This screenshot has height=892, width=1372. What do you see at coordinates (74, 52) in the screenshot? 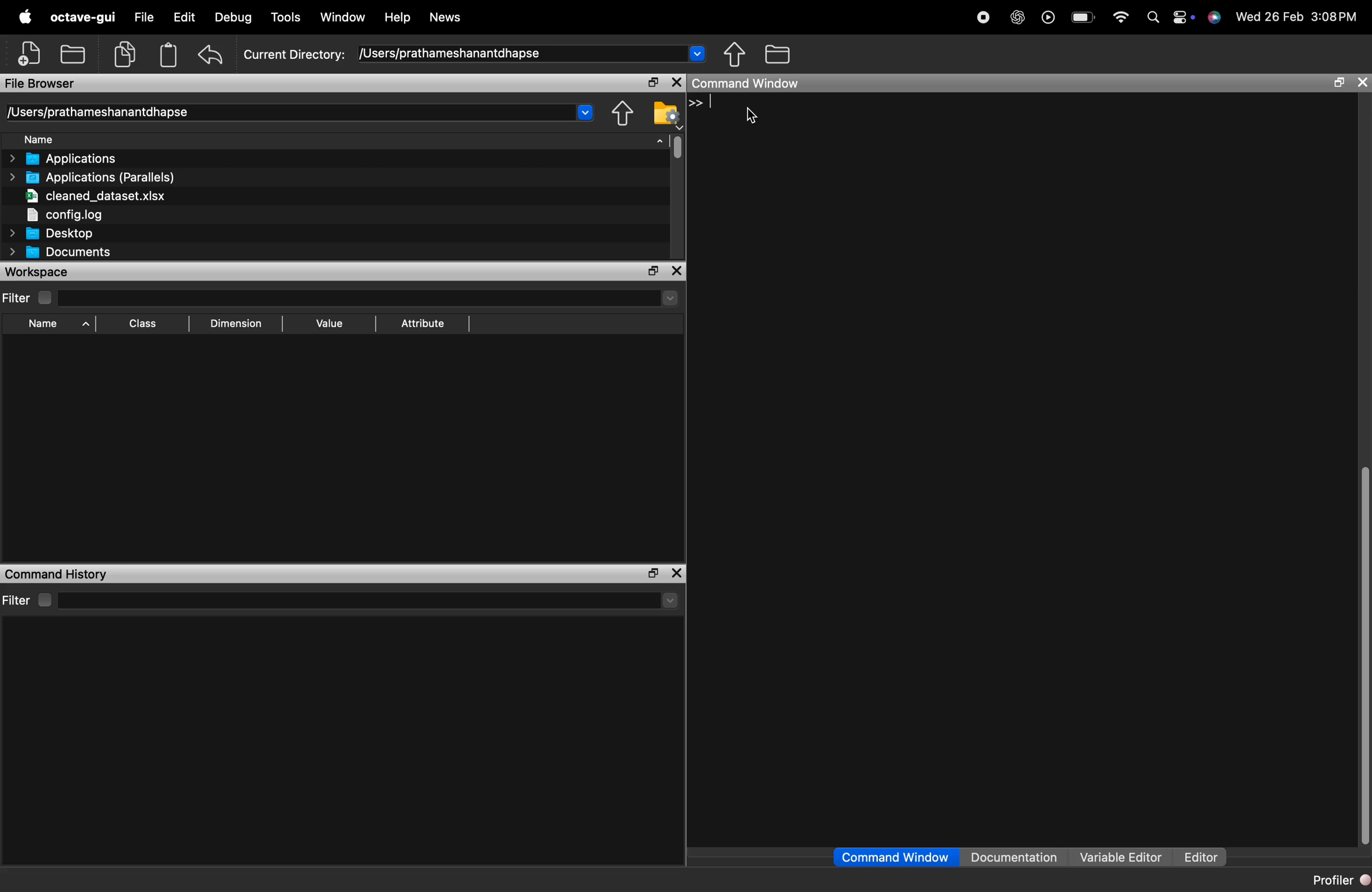
I see `open an existing file in an editor` at bounding box center [74, 52].